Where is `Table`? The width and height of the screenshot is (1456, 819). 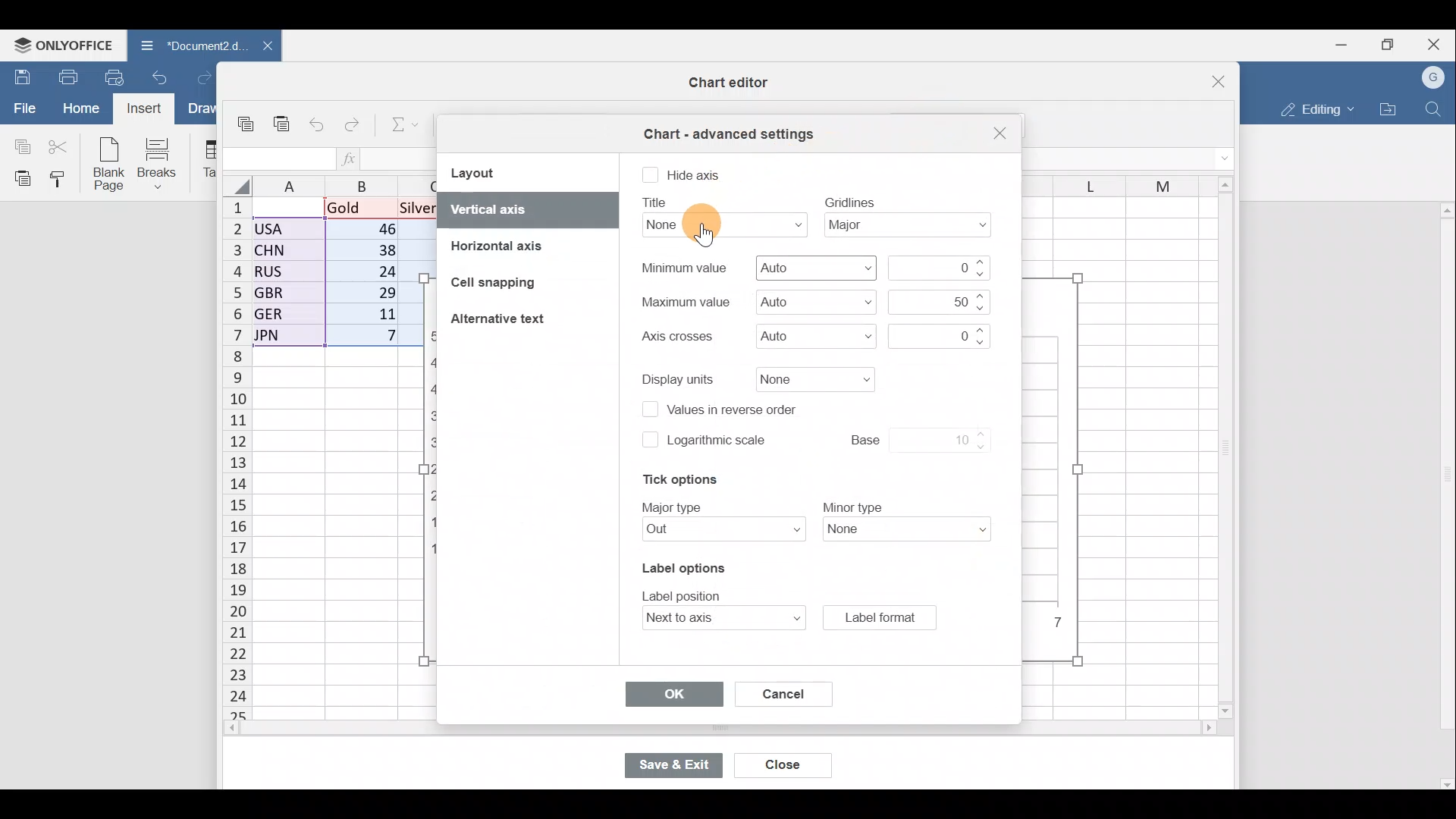
Table is located at coordinates (208, 160).